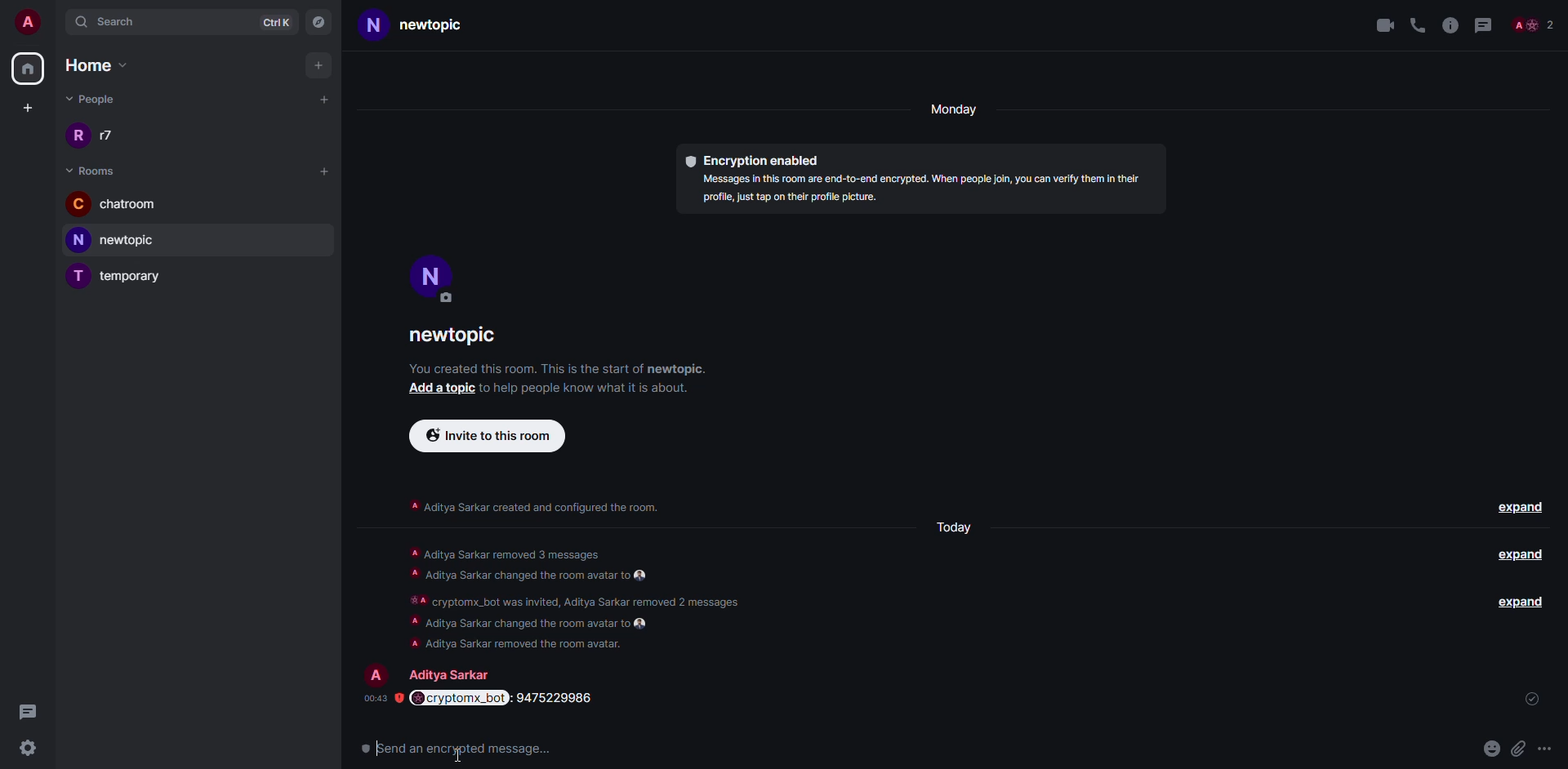 The image size is (1568, 769). What do you see at coordinates (320, 20) in the screenshot?
I see `navigator` at bounding box center [320, 20].